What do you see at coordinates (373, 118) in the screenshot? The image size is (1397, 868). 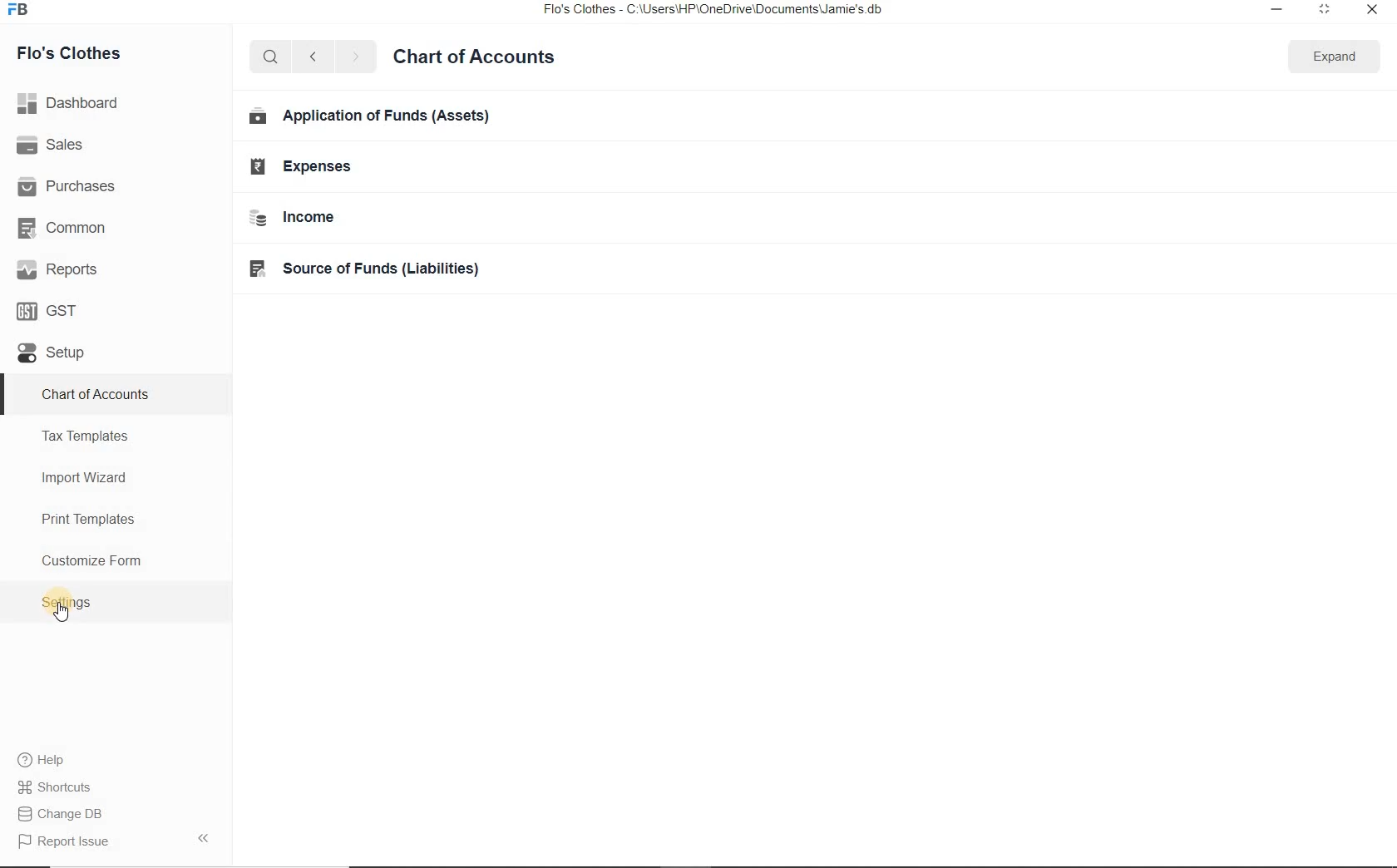 I see `Application of Funds (Assets)` at bounding box center [373, 118].